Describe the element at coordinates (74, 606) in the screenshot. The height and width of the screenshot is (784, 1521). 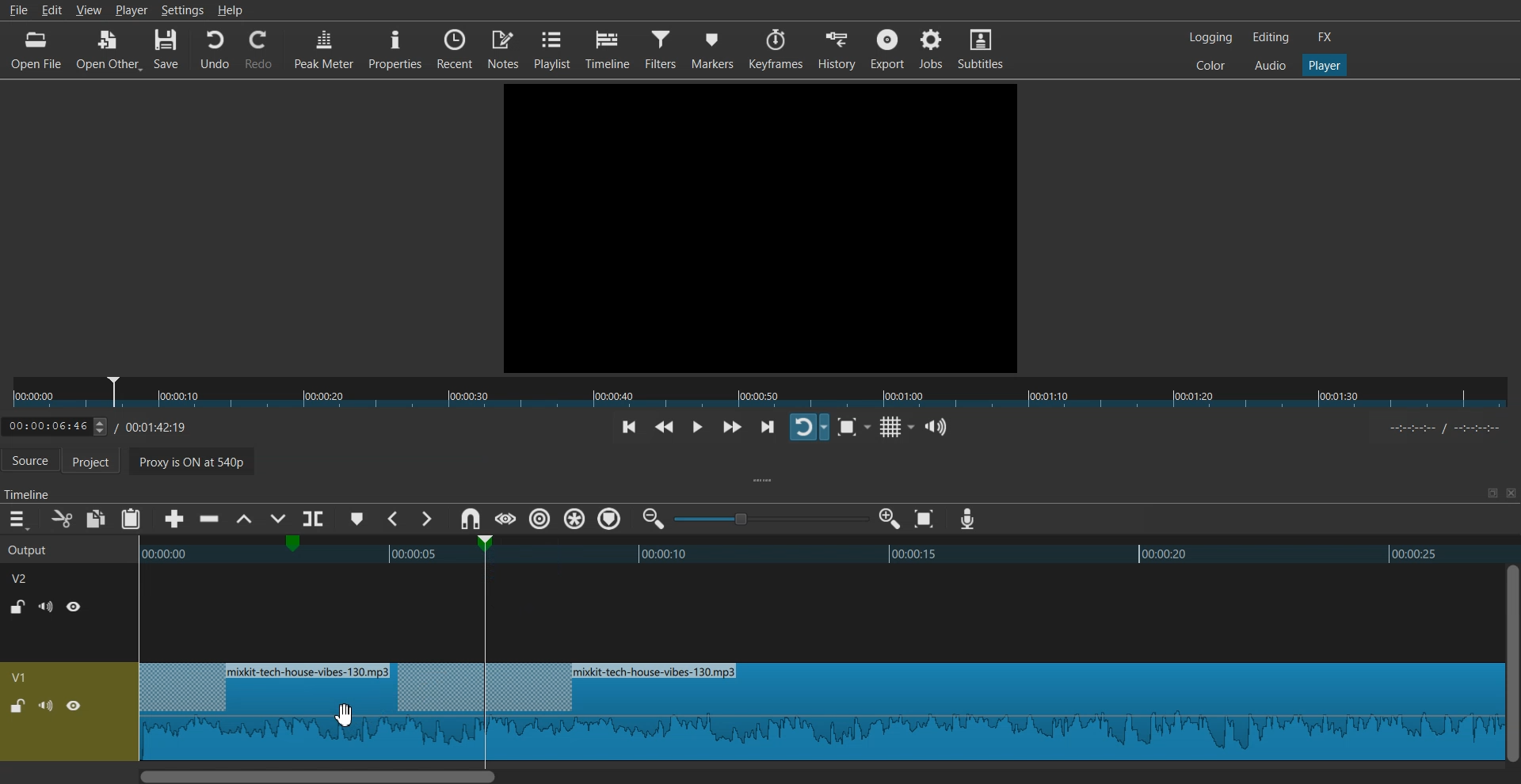
I see `Hide` at that location.